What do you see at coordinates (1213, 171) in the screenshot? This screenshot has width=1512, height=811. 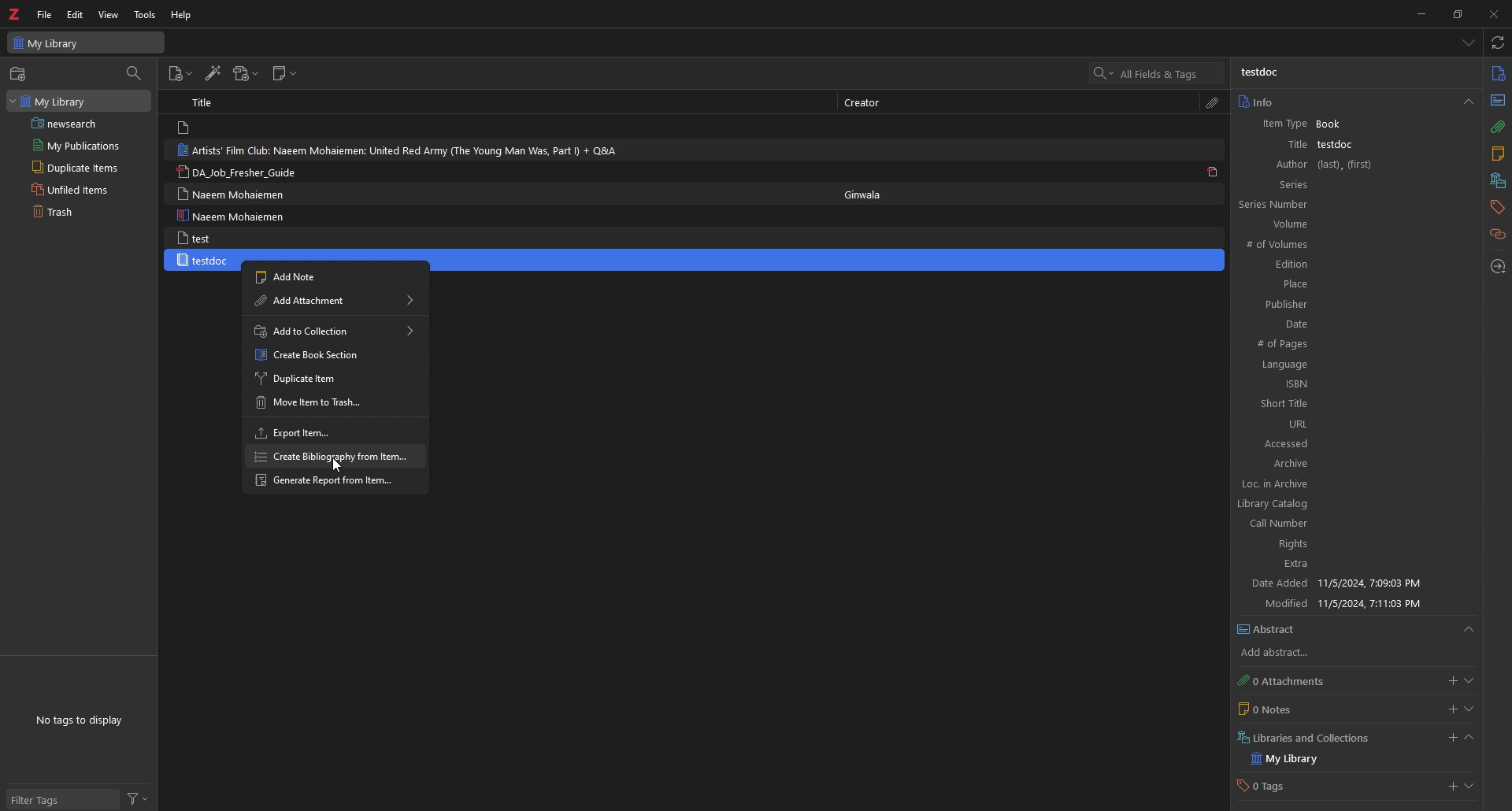 I see `pdf` at bounding box center [1213, 171].